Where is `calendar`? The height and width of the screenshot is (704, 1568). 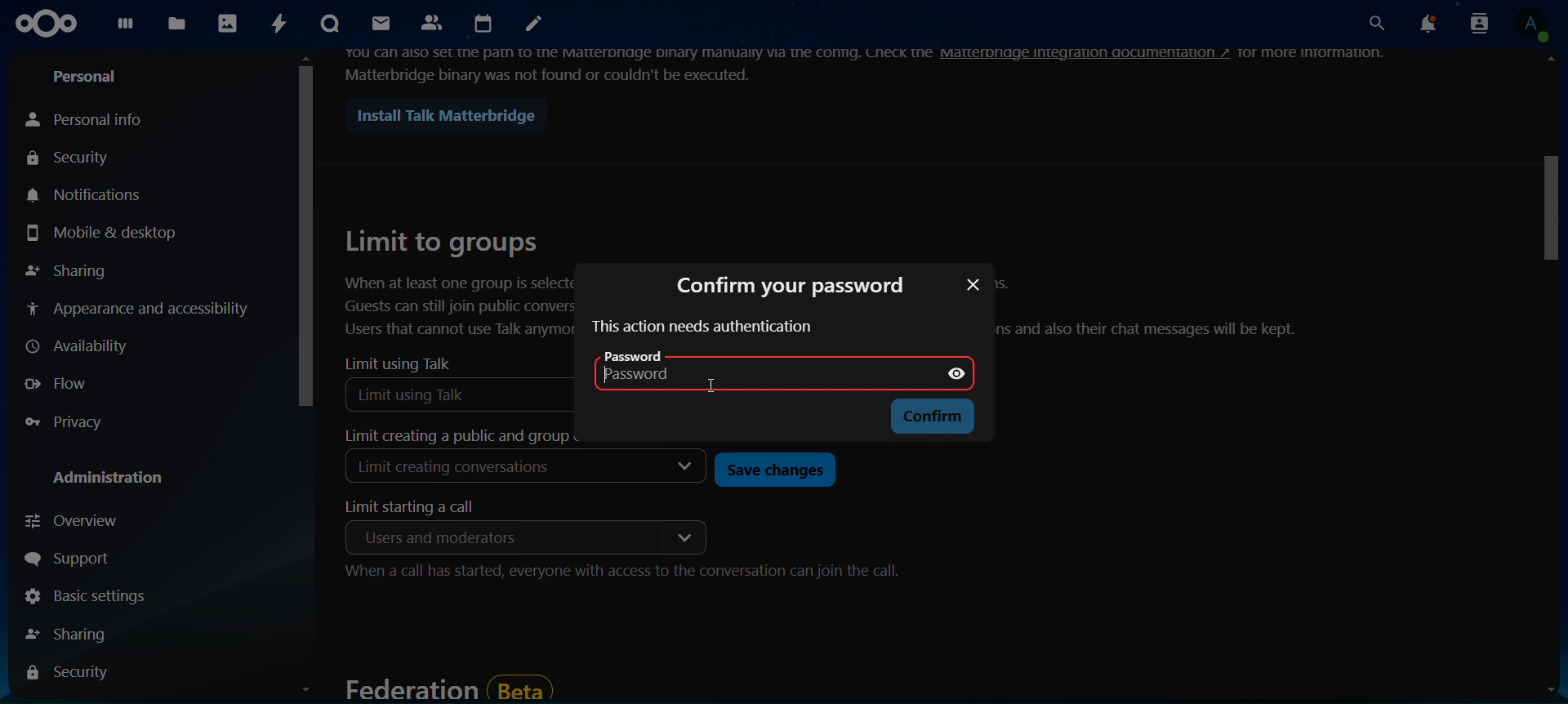 calendar is located at coordinates (486, 25).